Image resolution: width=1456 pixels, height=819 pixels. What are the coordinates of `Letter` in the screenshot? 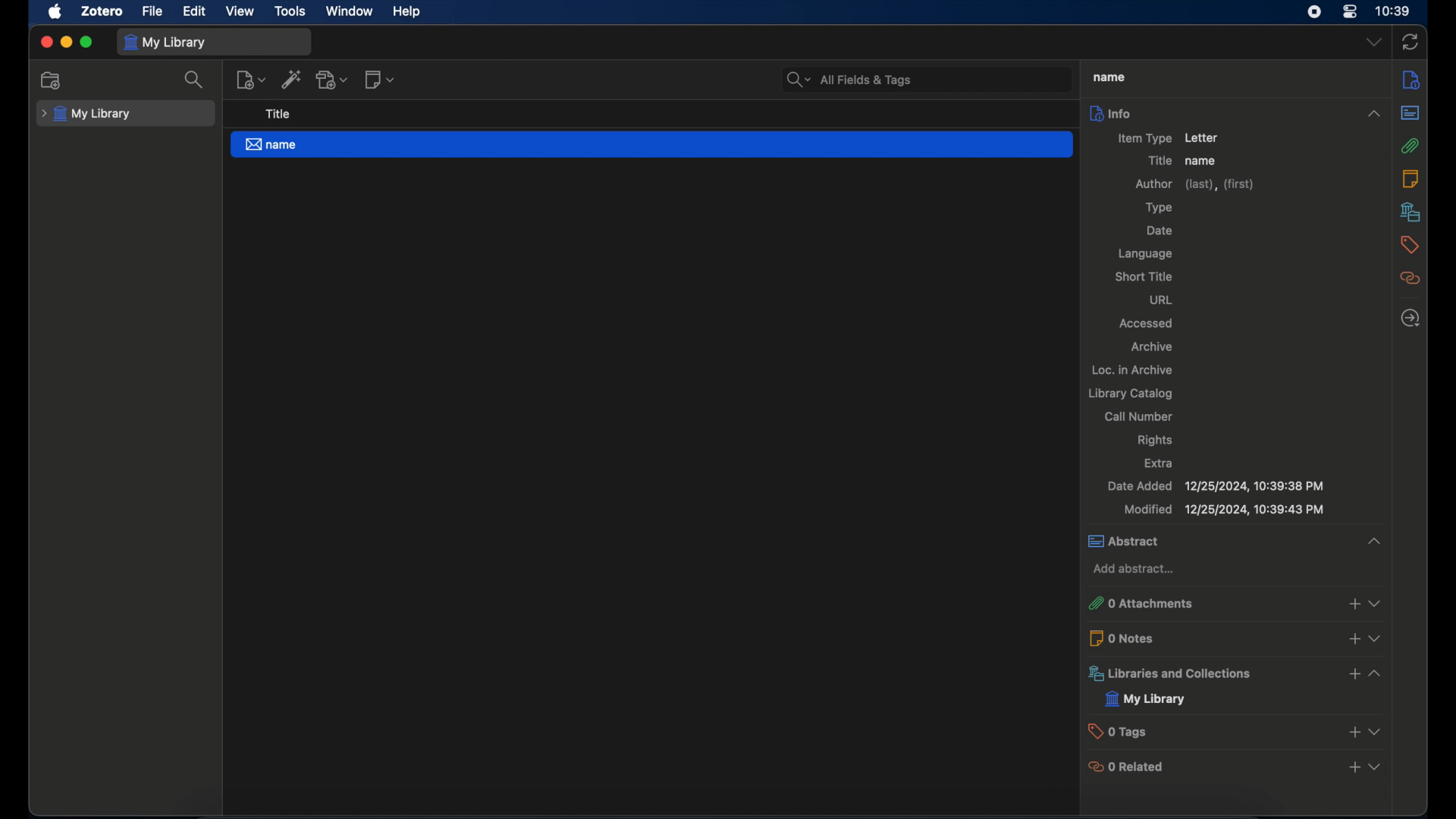 It's located at (1210, 137).